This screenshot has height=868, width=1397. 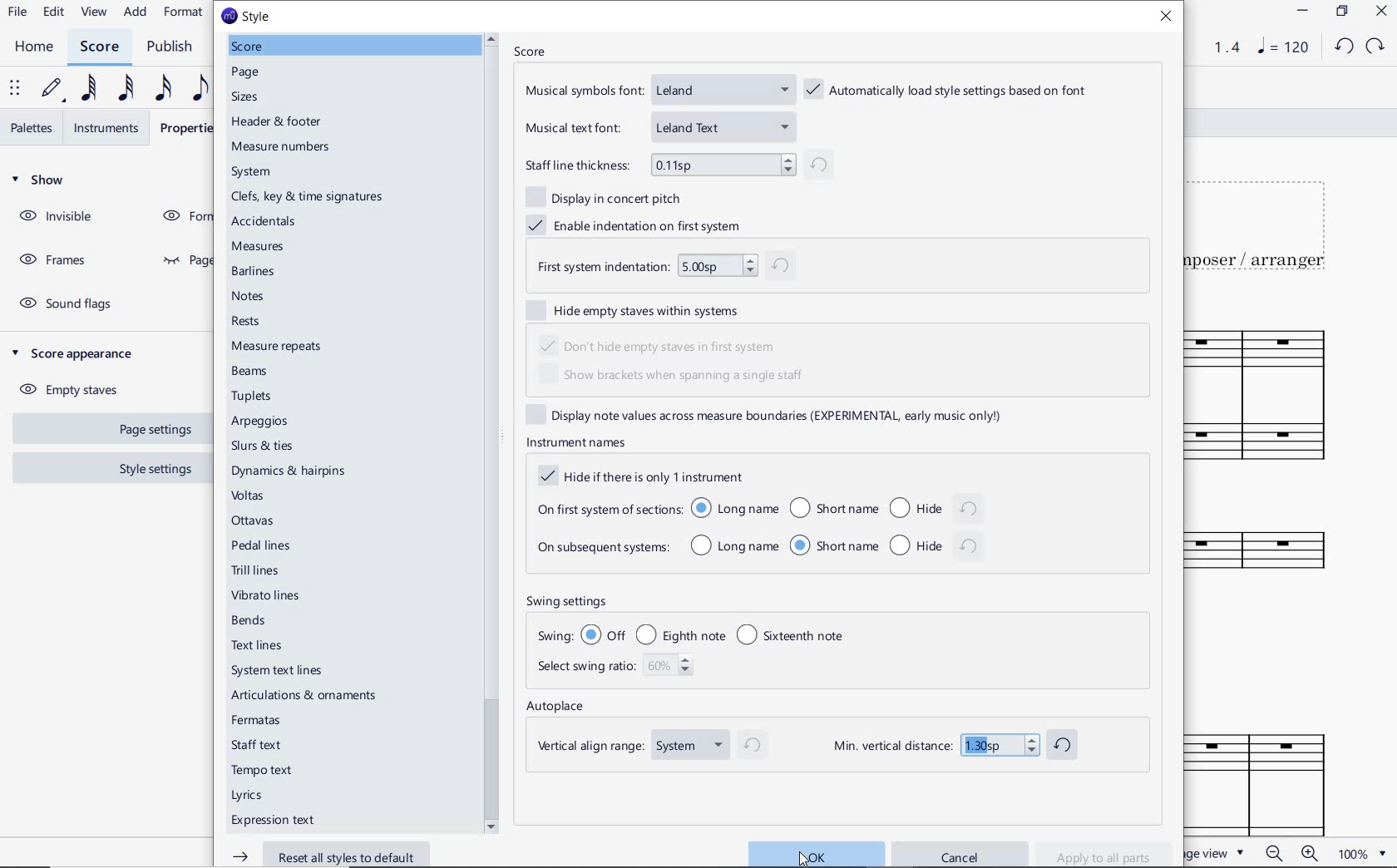 I want to click on SCORE, so click(x=528, y=50).